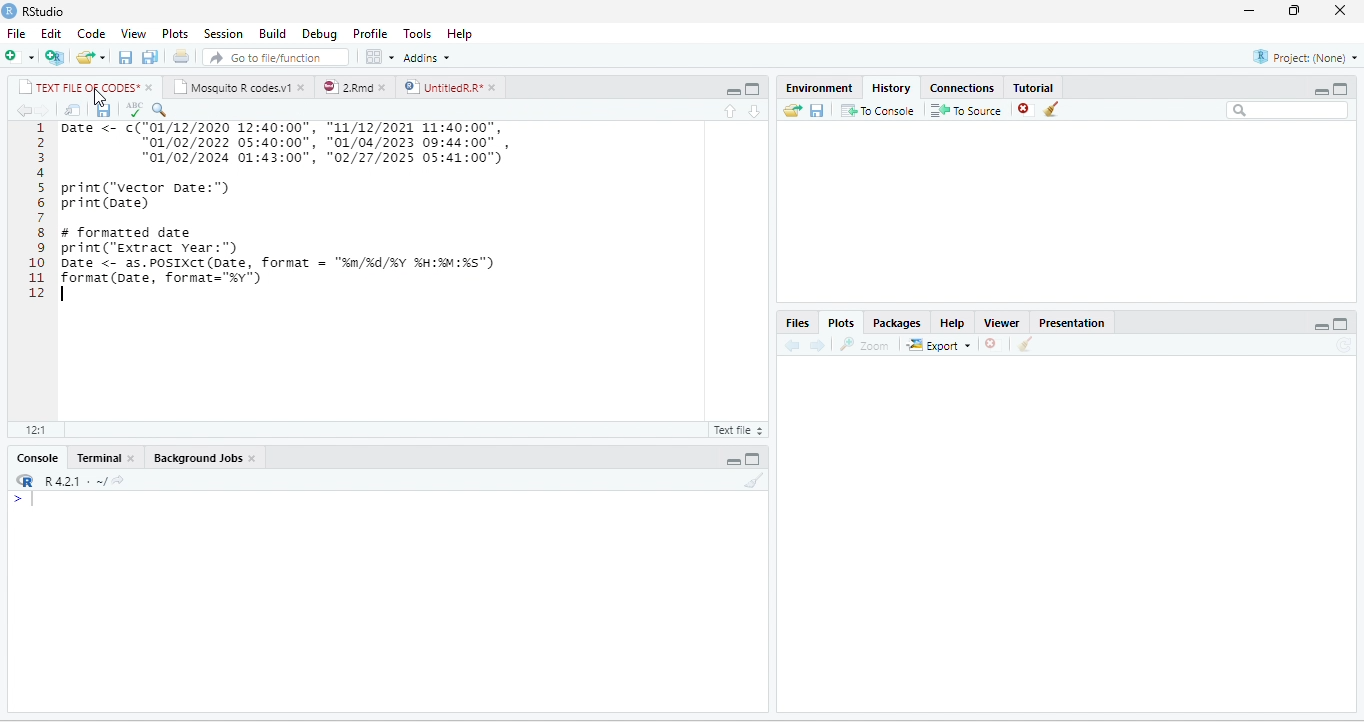 This screenshot has height=722, width=1364. Describe the element at coordinates (799, 324) in the screenshot. I see `Files` at that location.